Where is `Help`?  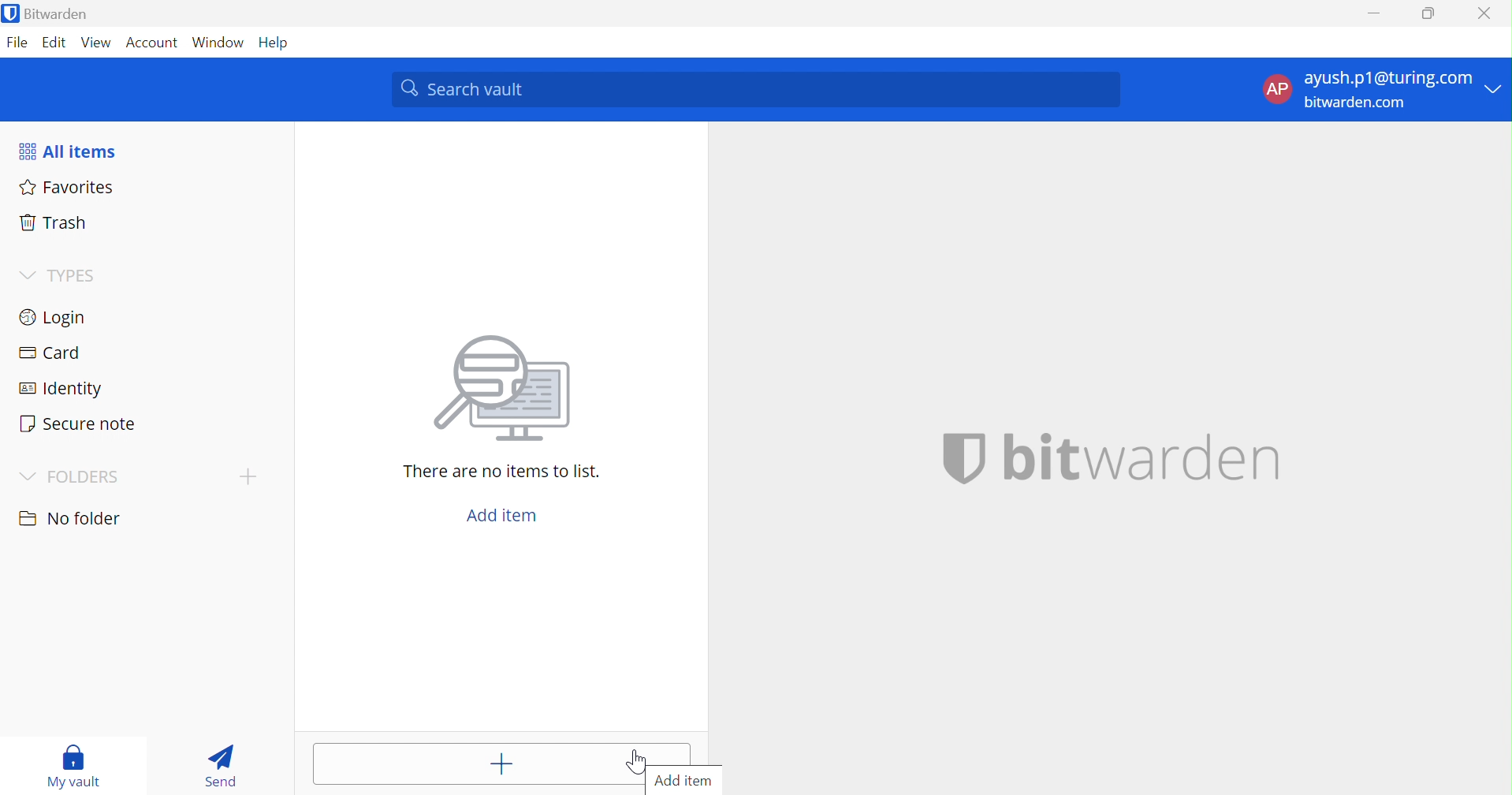 Help is located at coordinates (278, 43).